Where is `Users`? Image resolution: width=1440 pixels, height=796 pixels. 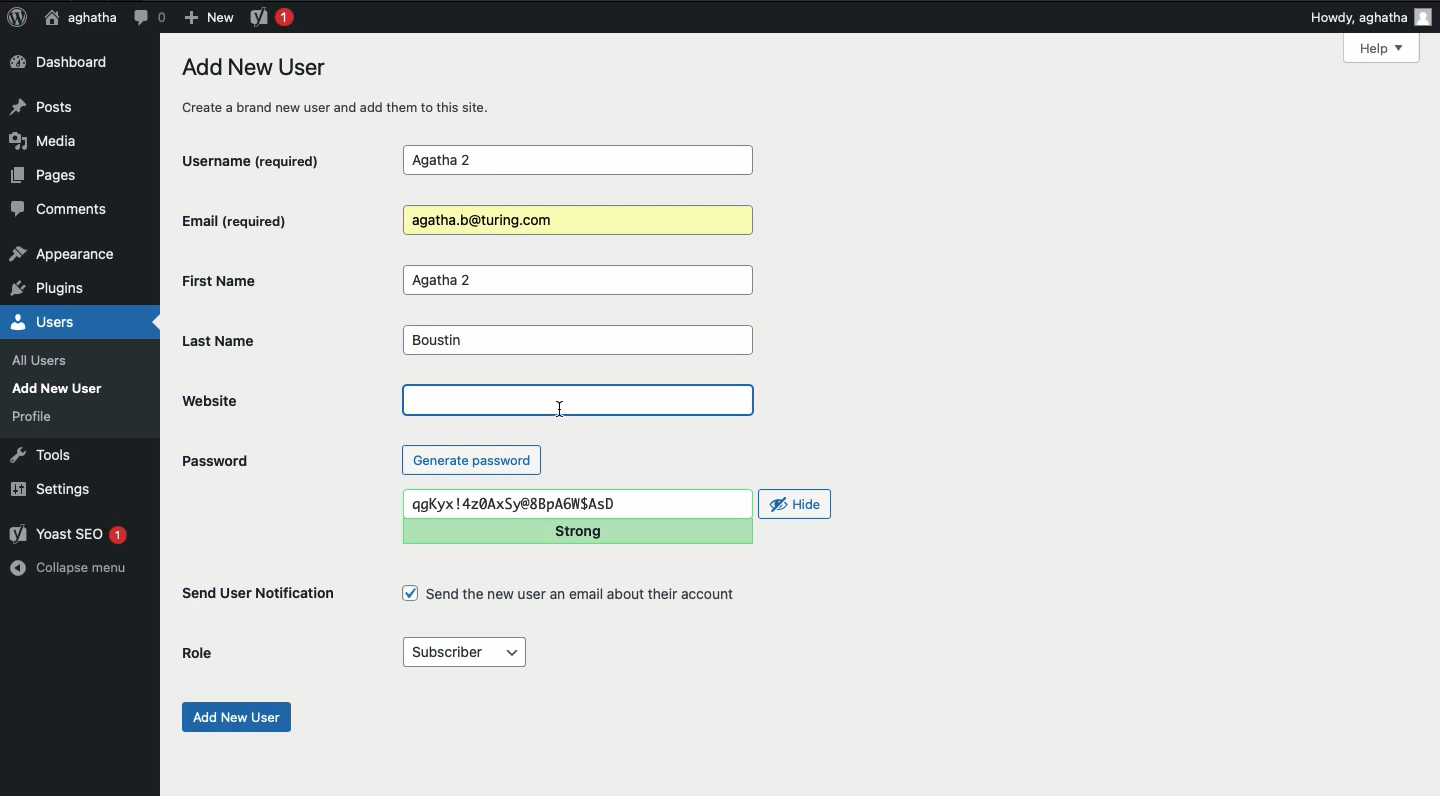
Users is located at coordinates (64, 322).